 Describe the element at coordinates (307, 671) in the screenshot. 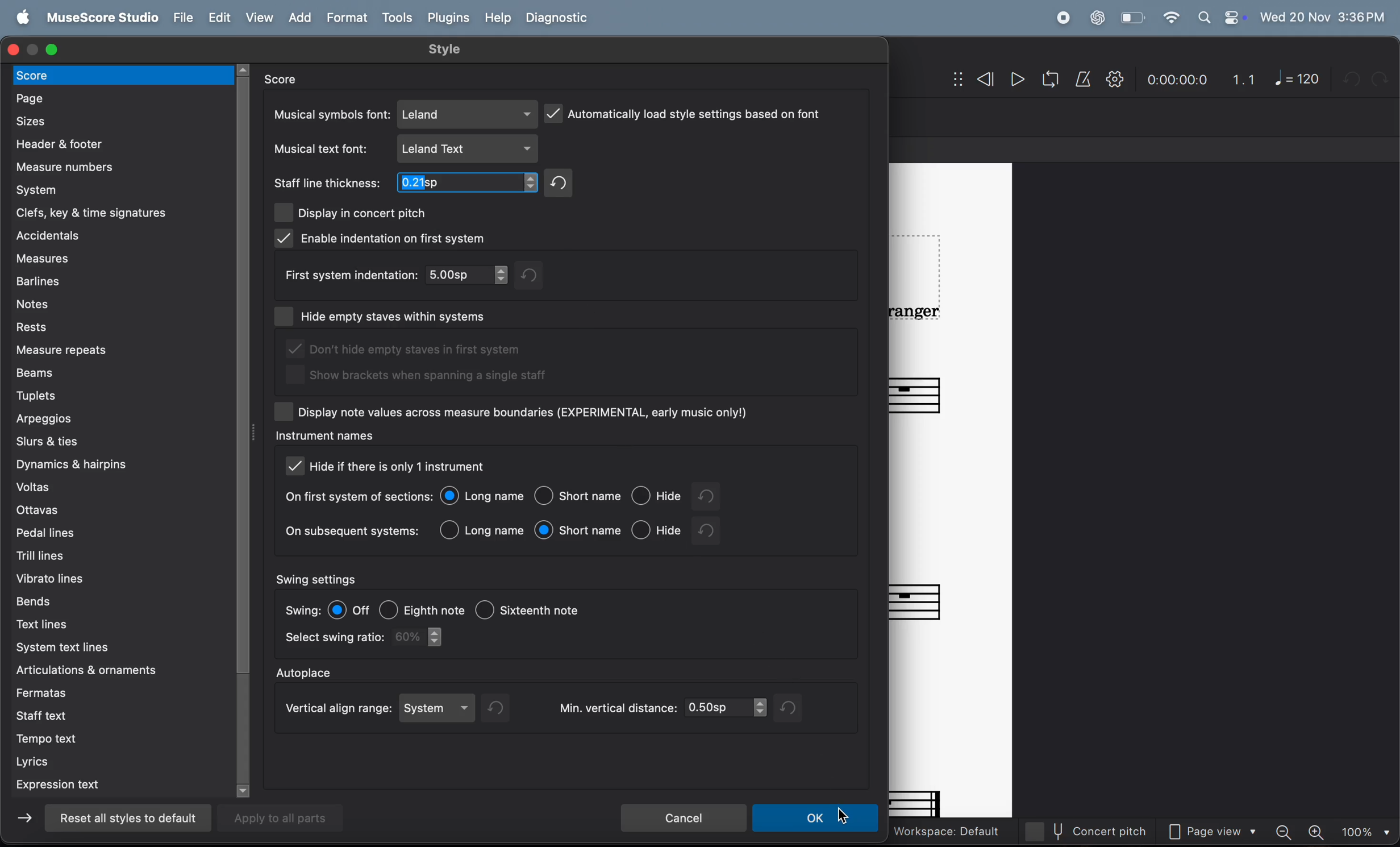

I see `autoplace` at that location.